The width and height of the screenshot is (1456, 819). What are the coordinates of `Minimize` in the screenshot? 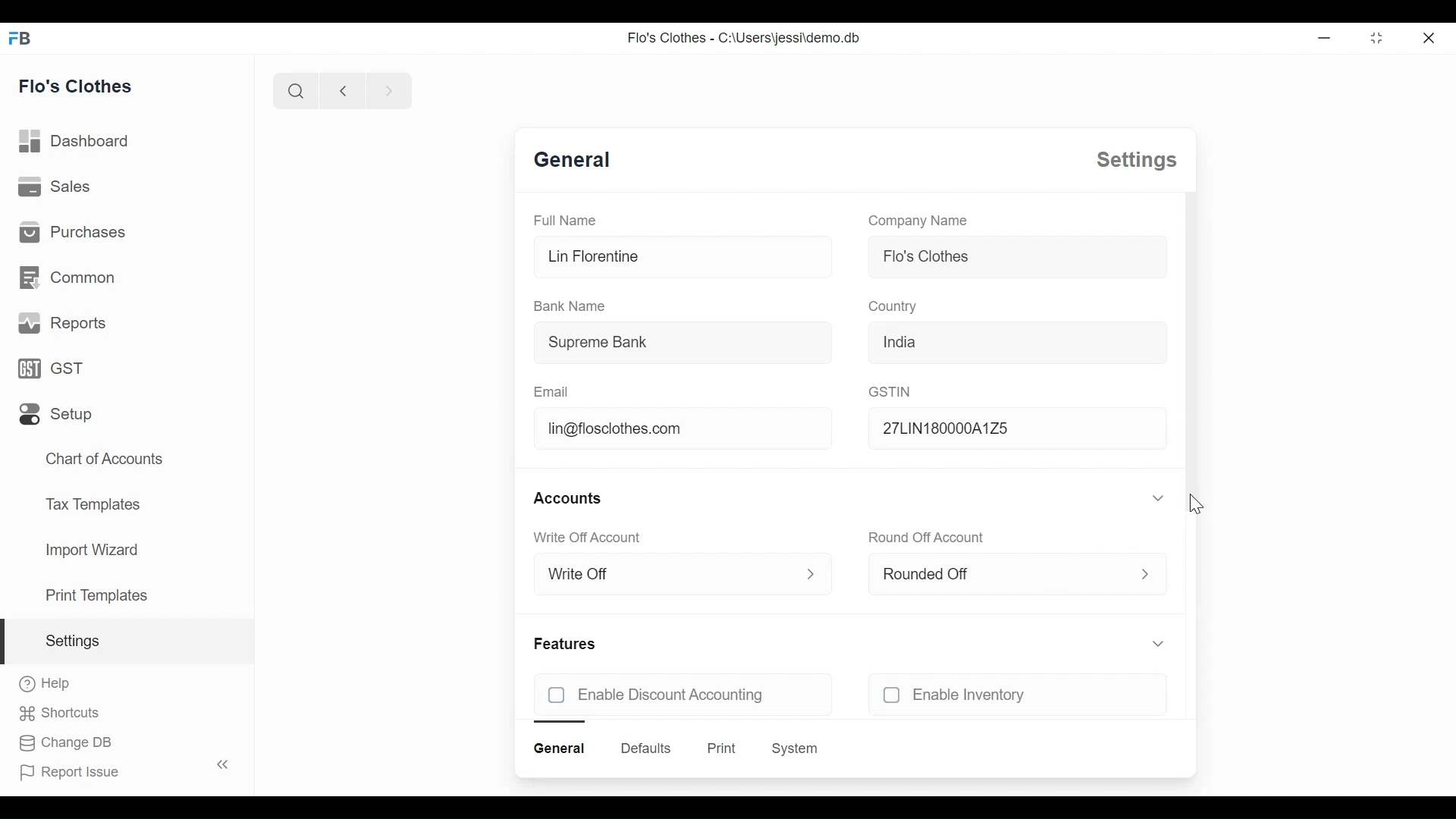 It's located at (1322, 37).